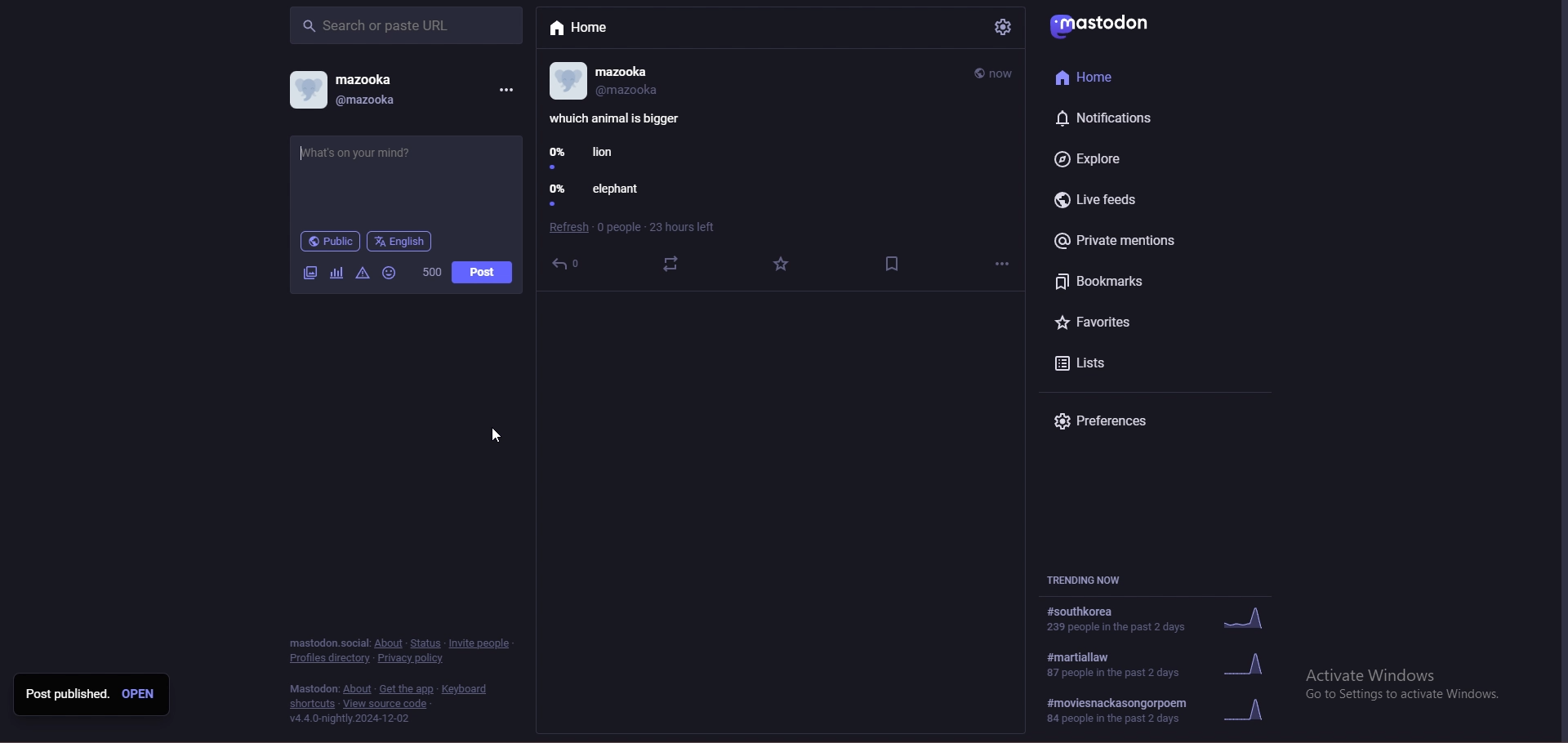 This screenshot has width=1568, height=743. I want to click on @mazooka, so click(371, 100).